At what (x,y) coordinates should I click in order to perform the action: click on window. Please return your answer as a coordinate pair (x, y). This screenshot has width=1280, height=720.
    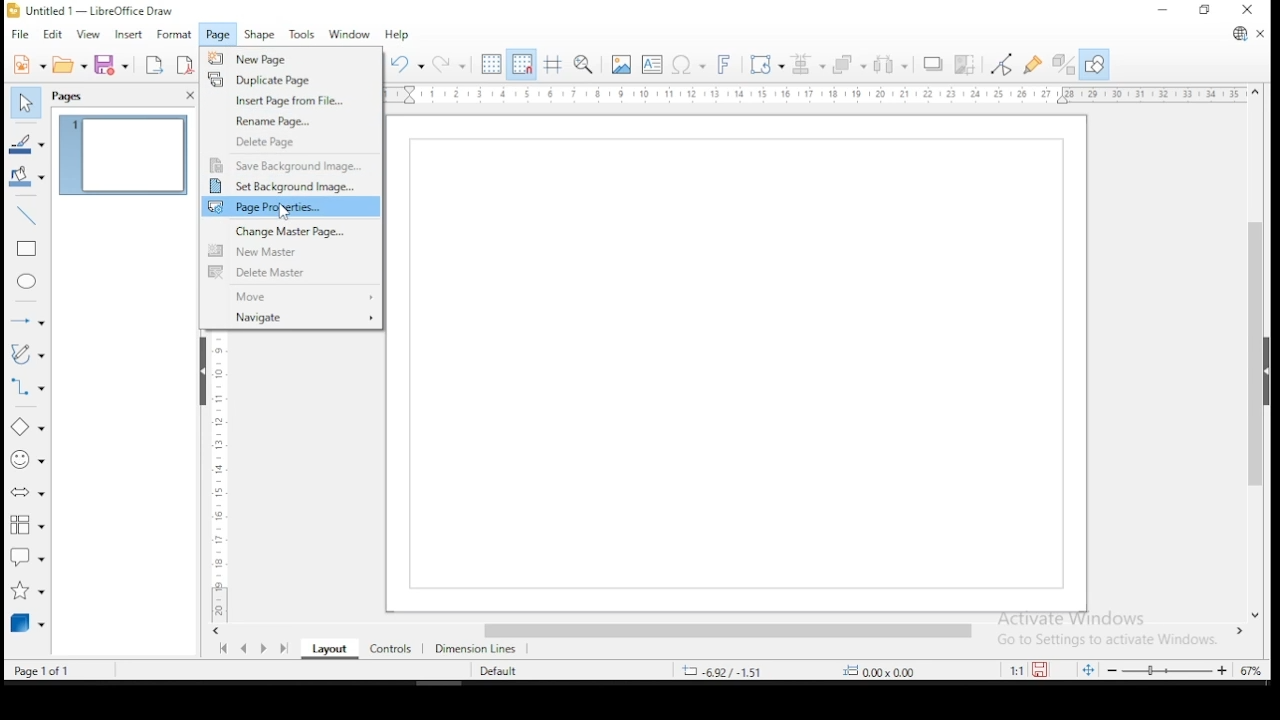
    Looking at the image, I should click on (349, 36).